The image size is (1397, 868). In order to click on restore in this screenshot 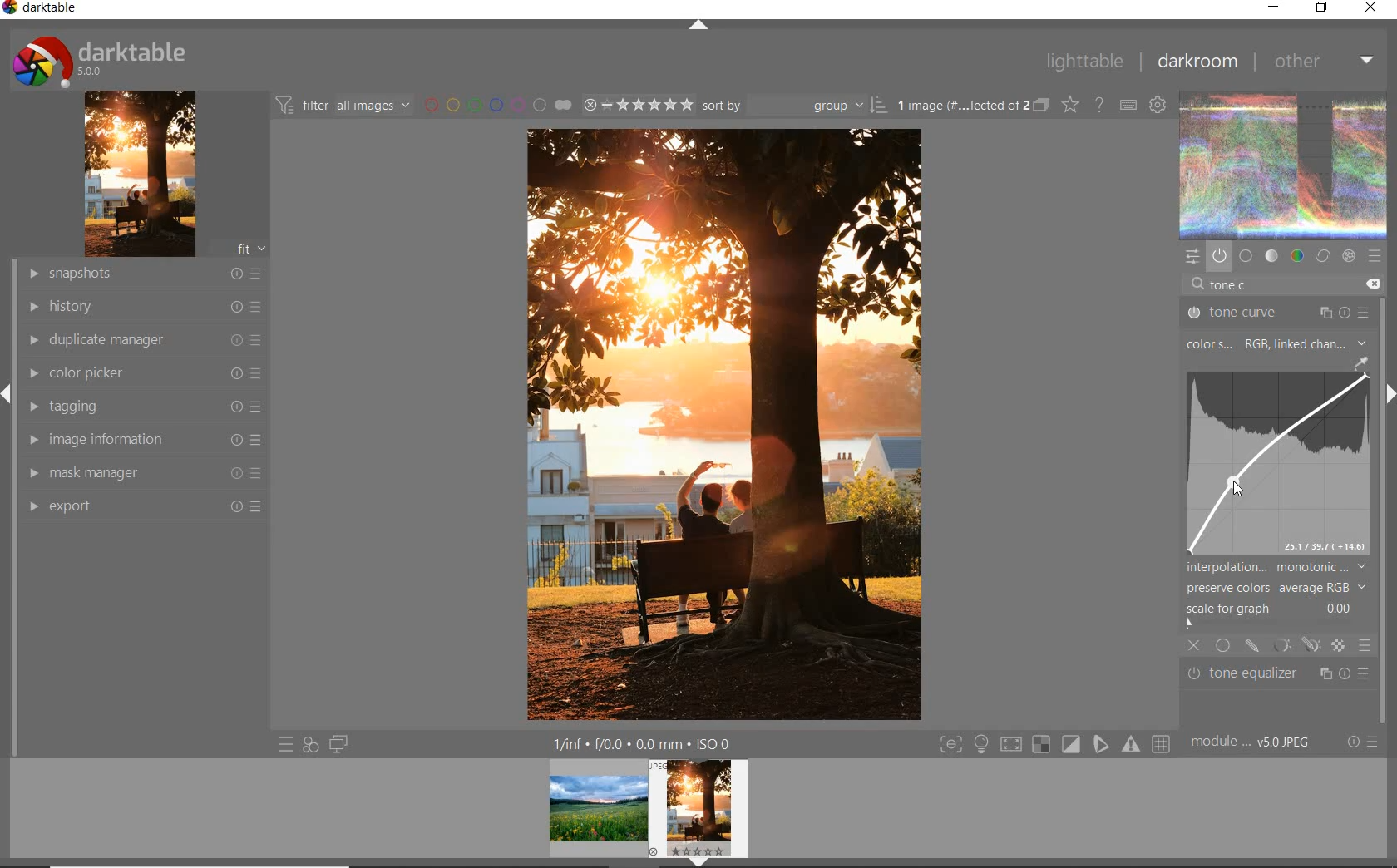, I will do `click(1324, 8)`.